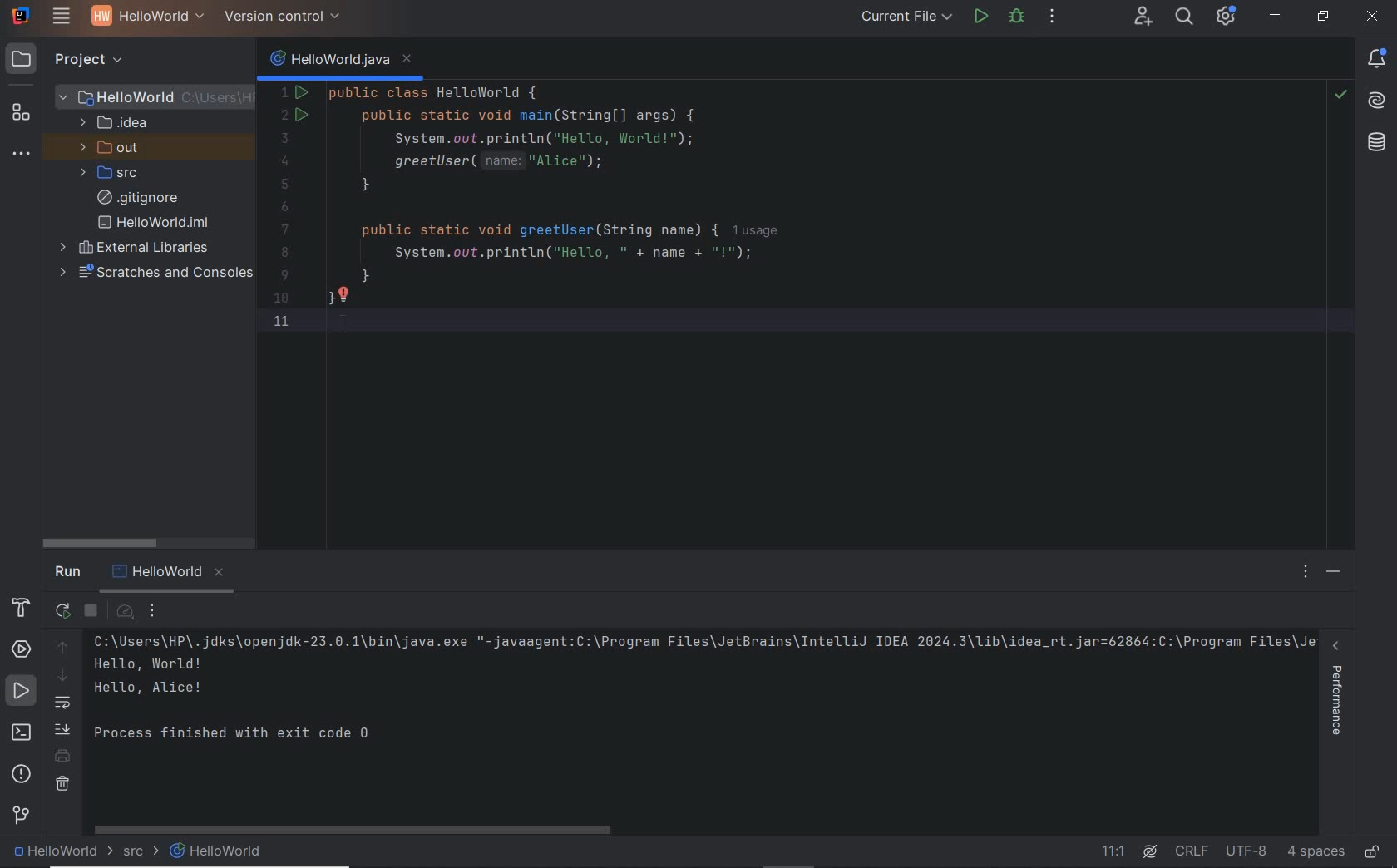 Image resolution: width=1397 pixels, height=868 pixels. What do you see at coordinates (22, 693) in the screenshot?
I see `run` at bounding box center [22, 693].